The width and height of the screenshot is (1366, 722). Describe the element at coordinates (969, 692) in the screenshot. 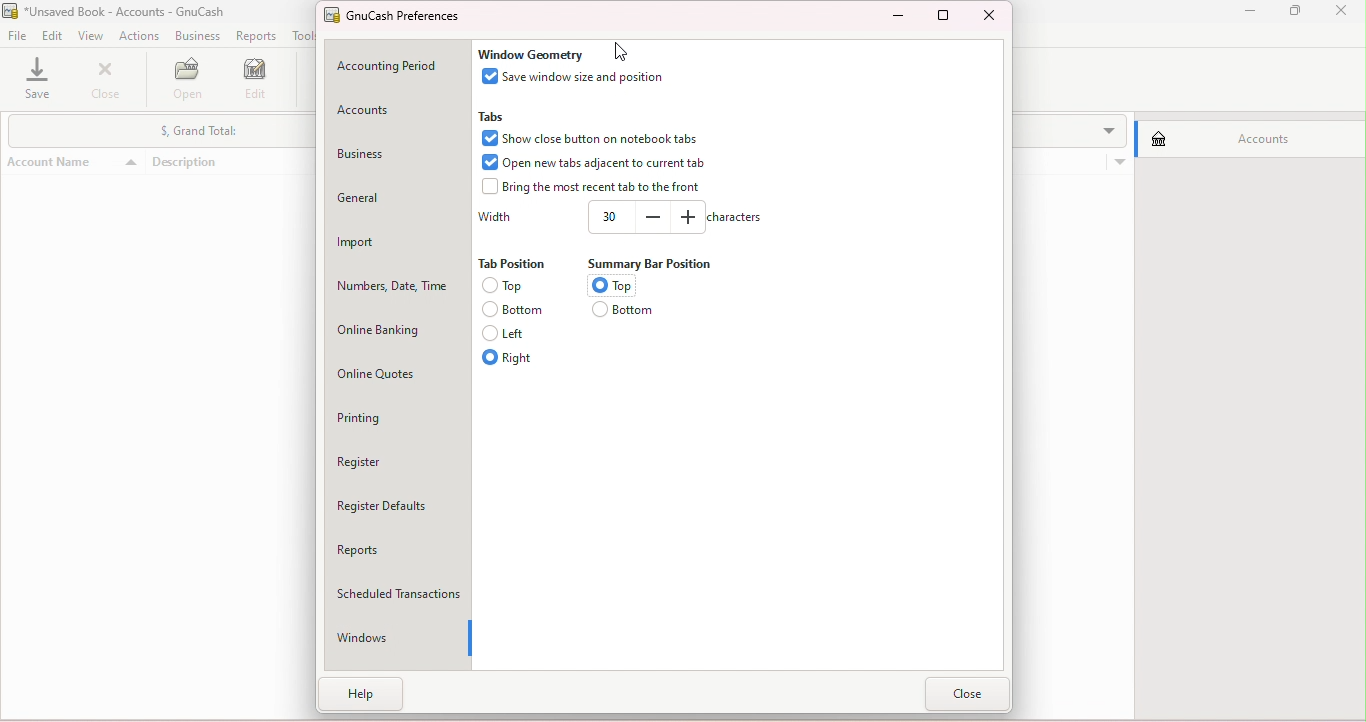

I see `Close` at that location.